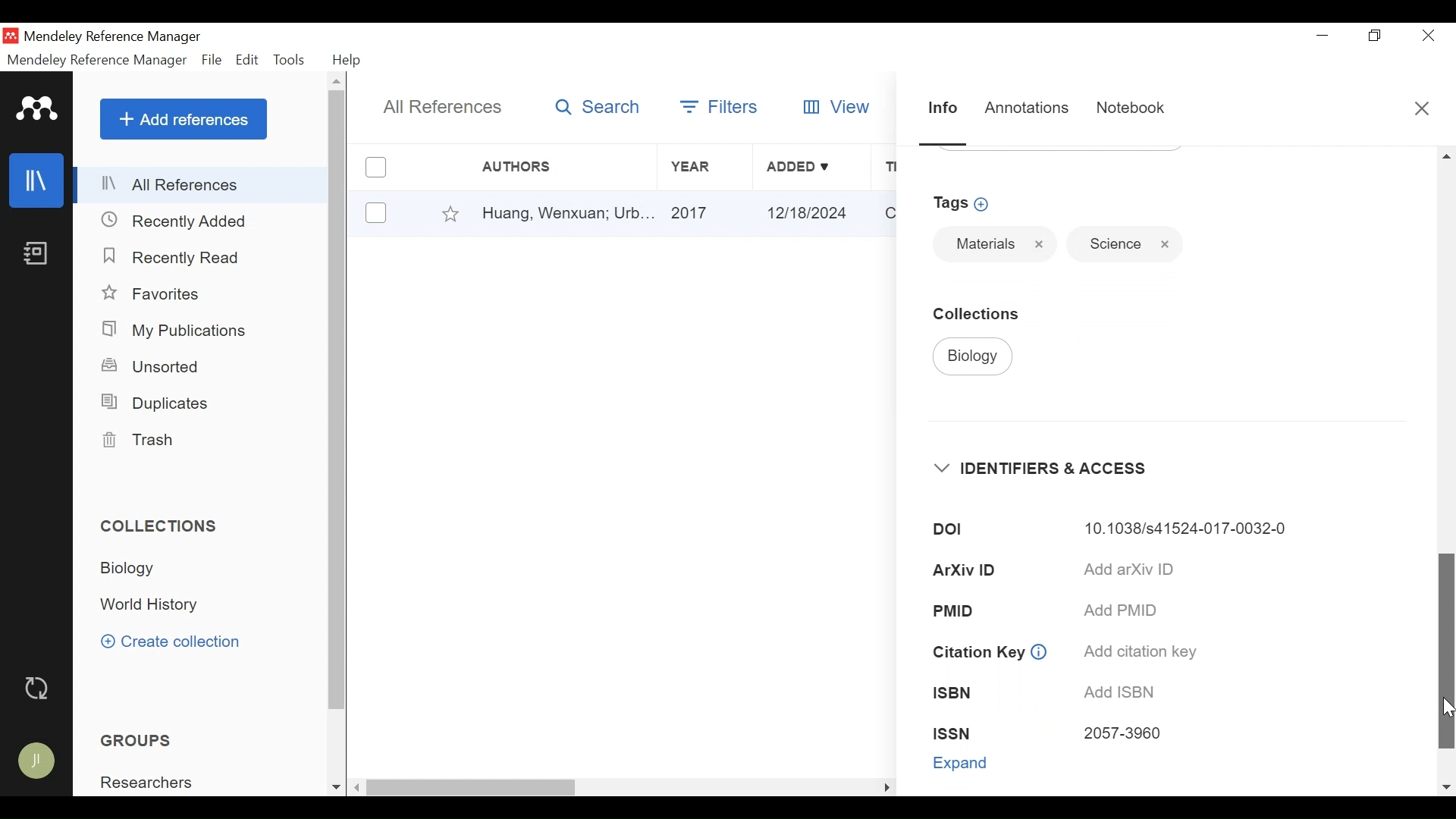 Image resolution: width=1456 pixels, height=819 pixels. Describe the element at coordinates (349, 60) in the screenshot. I see `Help` at that location.